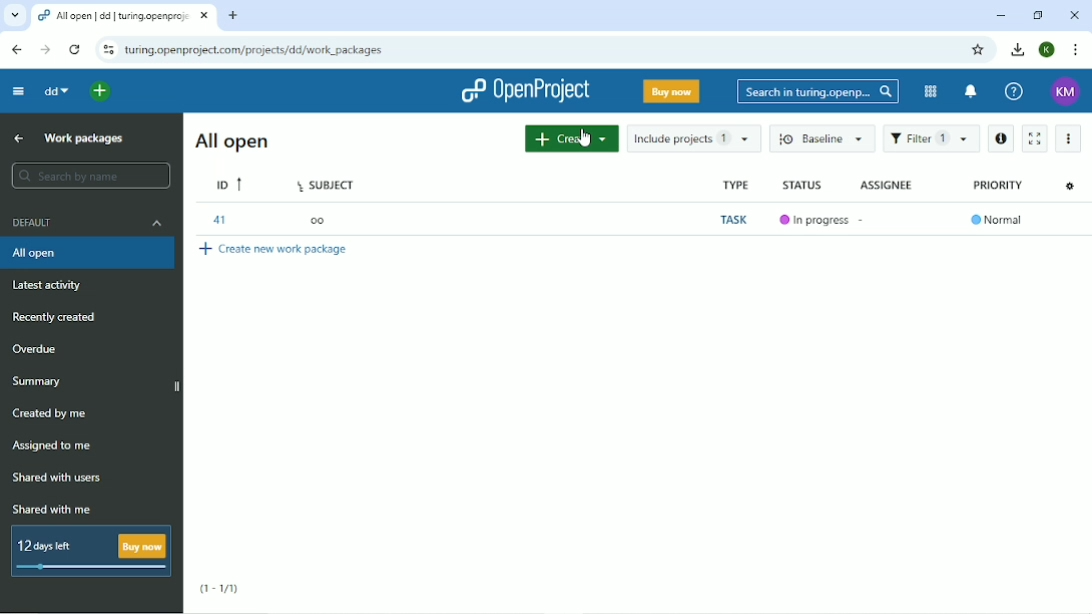 Image resolution: width=1092 pixels, height=614 pixels. I want to click on 41, so click(219, 219).